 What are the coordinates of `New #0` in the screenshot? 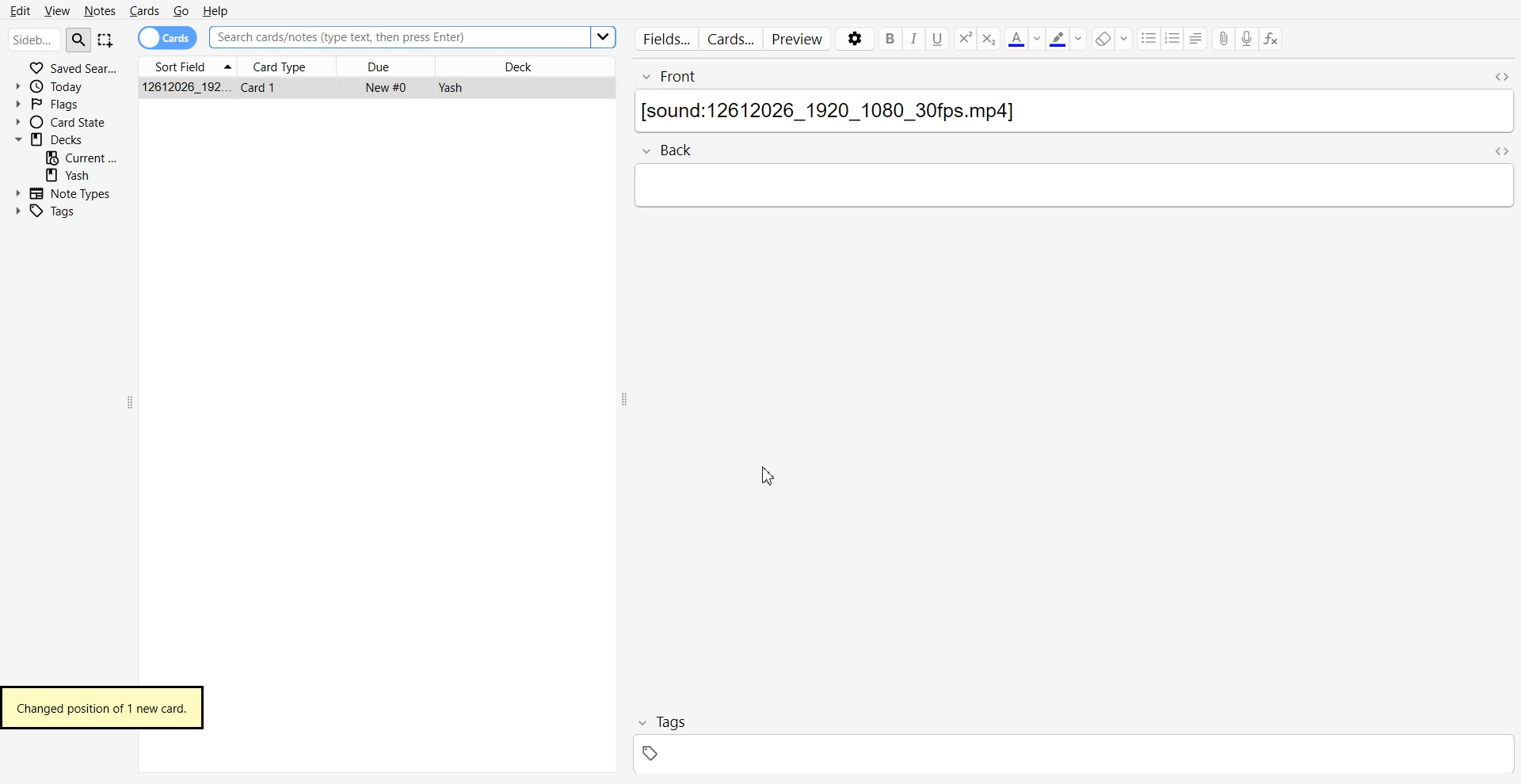 It's located at (388, 87).